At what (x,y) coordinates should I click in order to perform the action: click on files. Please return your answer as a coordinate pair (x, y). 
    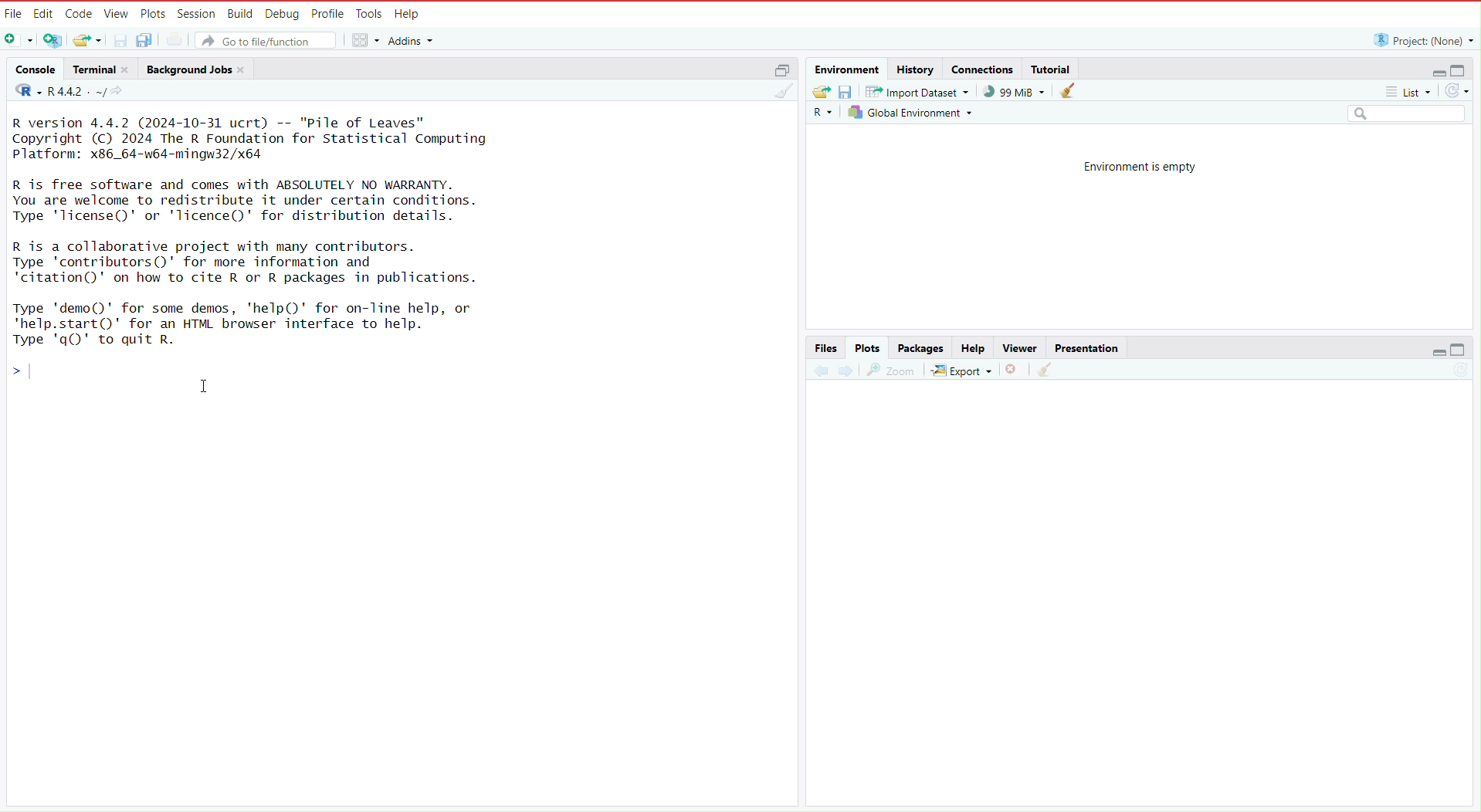
    Looking at the image, I should click on (826, 347).